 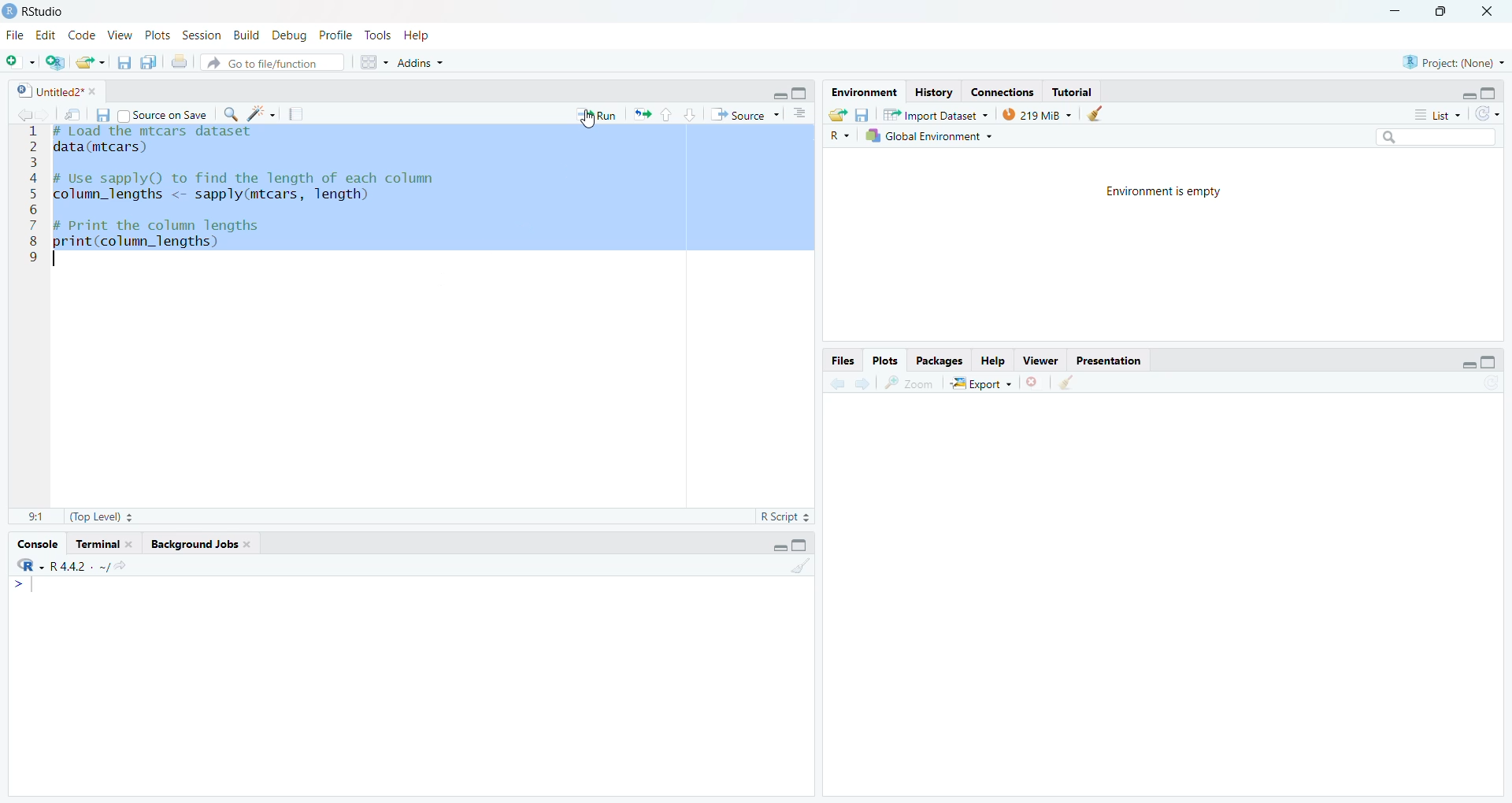 I want to click on Build, so click(x=247, y=35).